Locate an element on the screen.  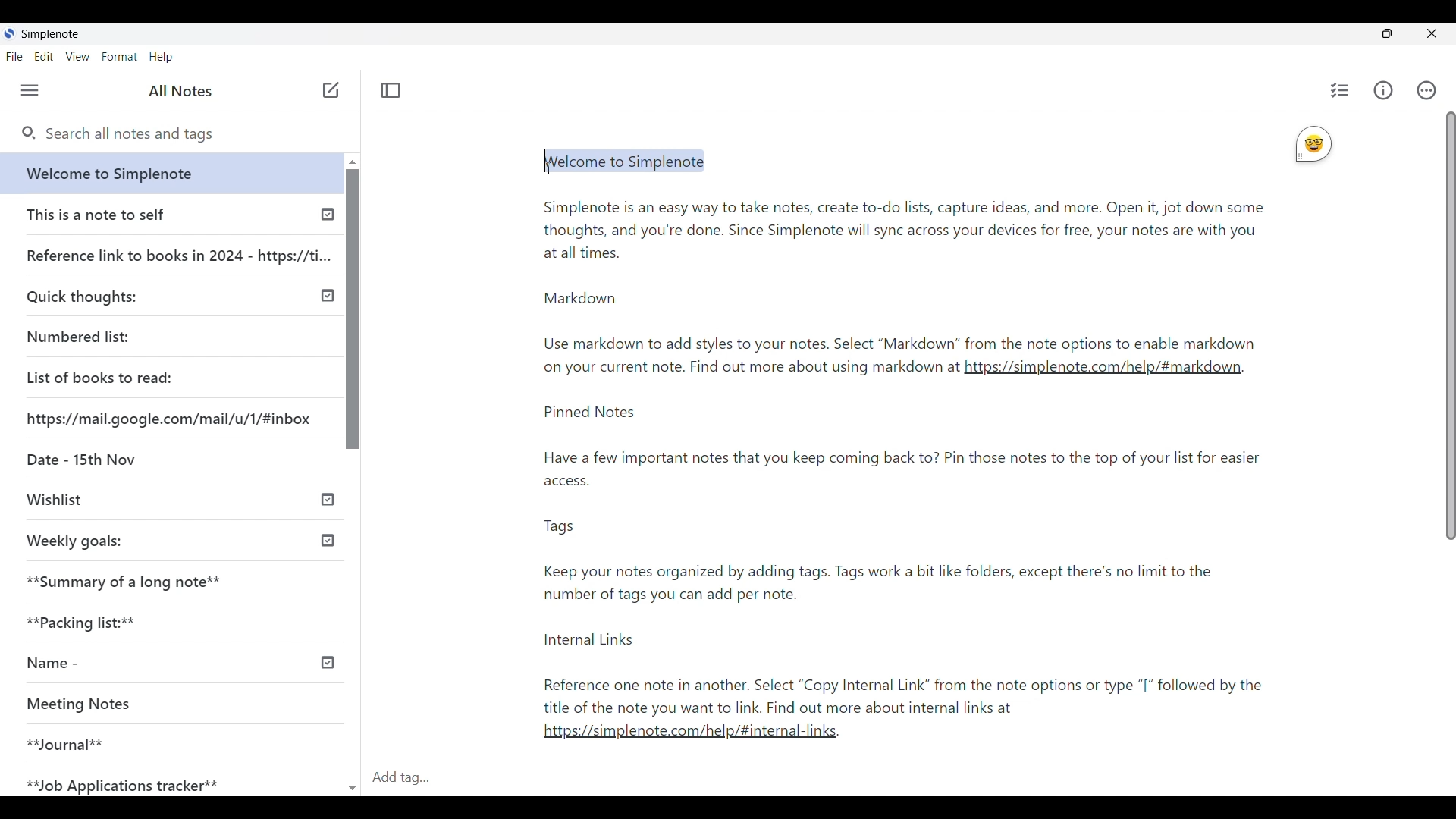
Numbered list is located at coordinates (77, 337).